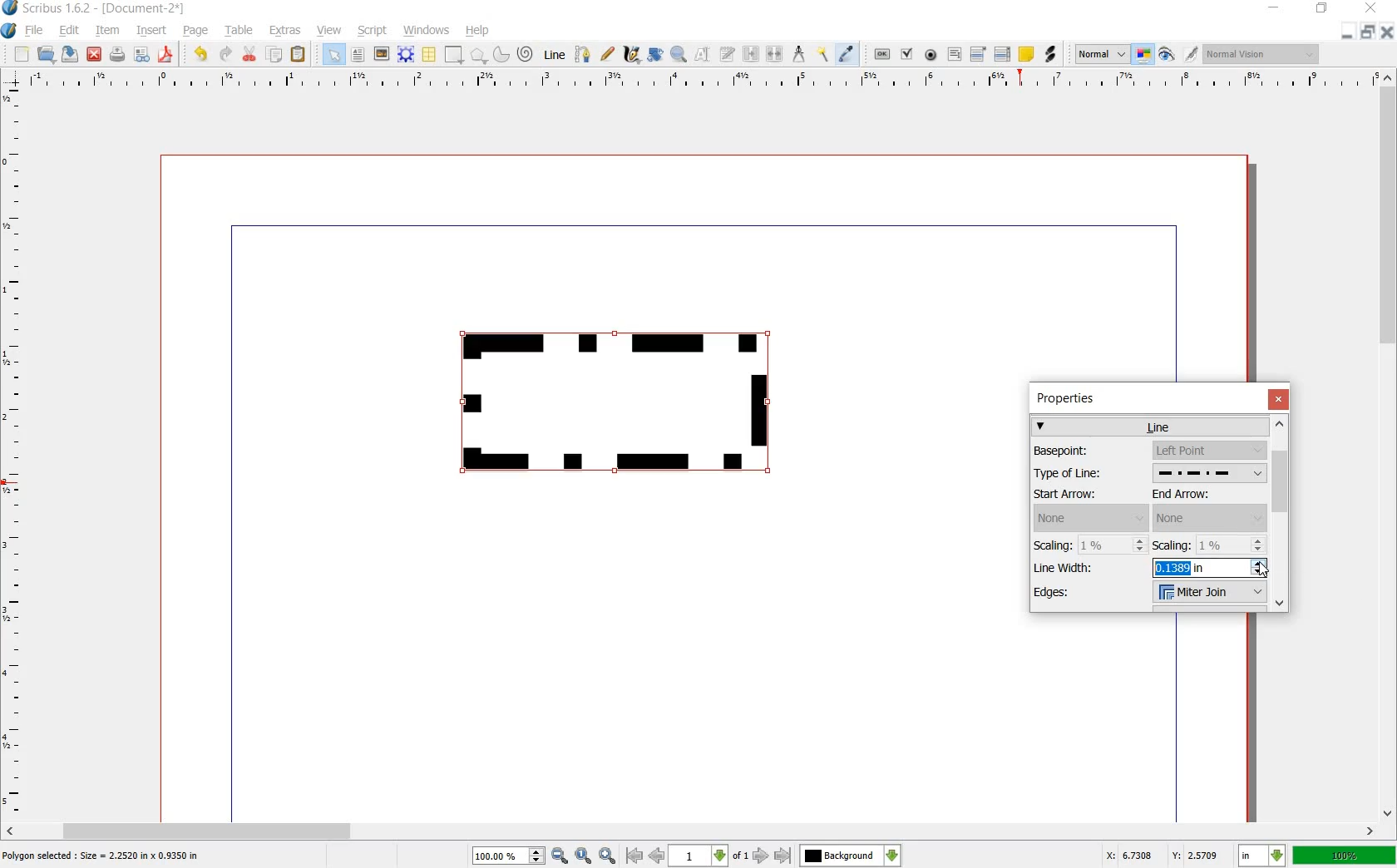 This screenshot has height=868, width=1397. I want to click on CLOSE, so click(1389, 32).